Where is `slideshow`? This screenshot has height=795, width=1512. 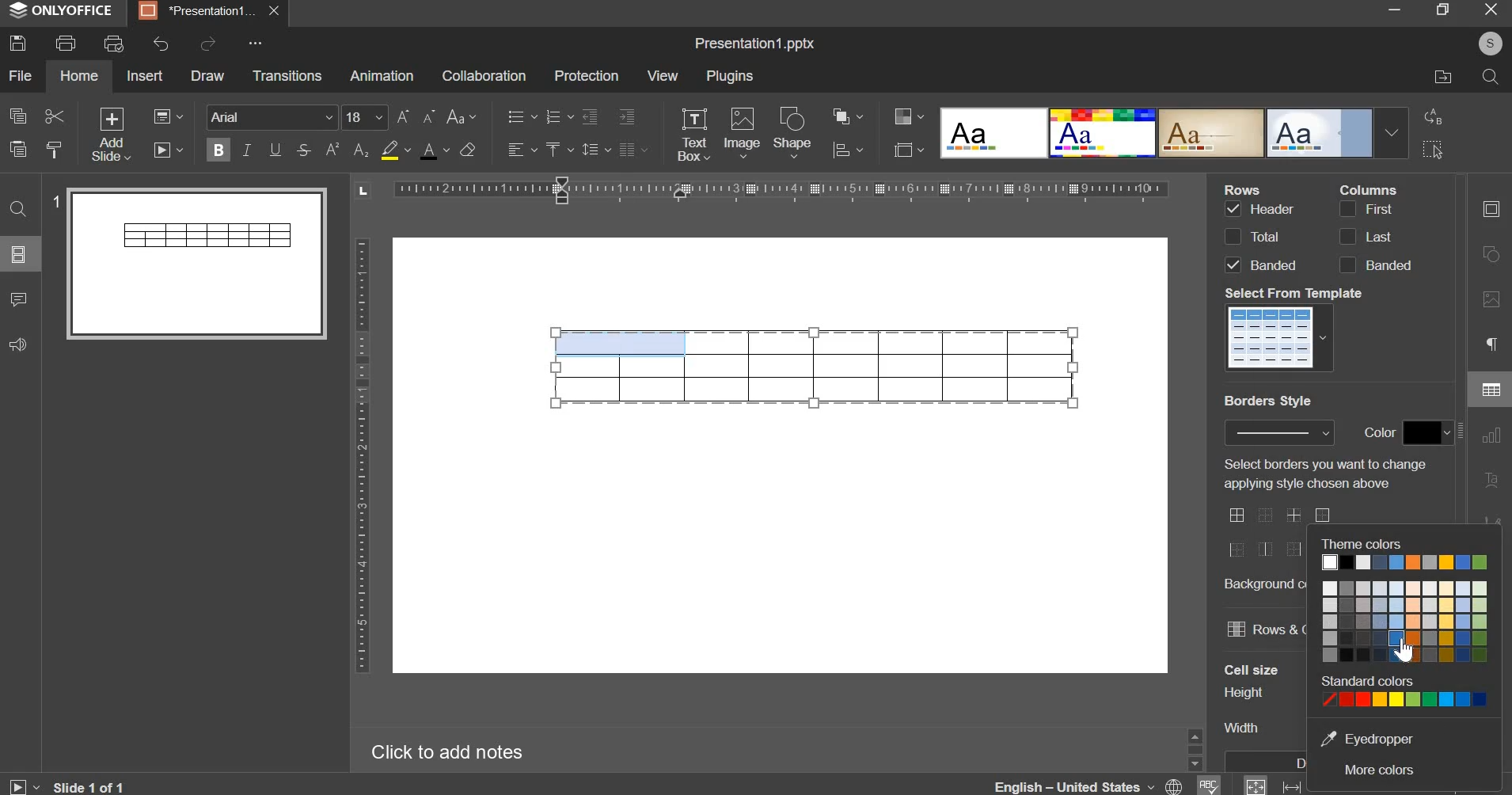
slideshow is located at coordinates (169, 148).